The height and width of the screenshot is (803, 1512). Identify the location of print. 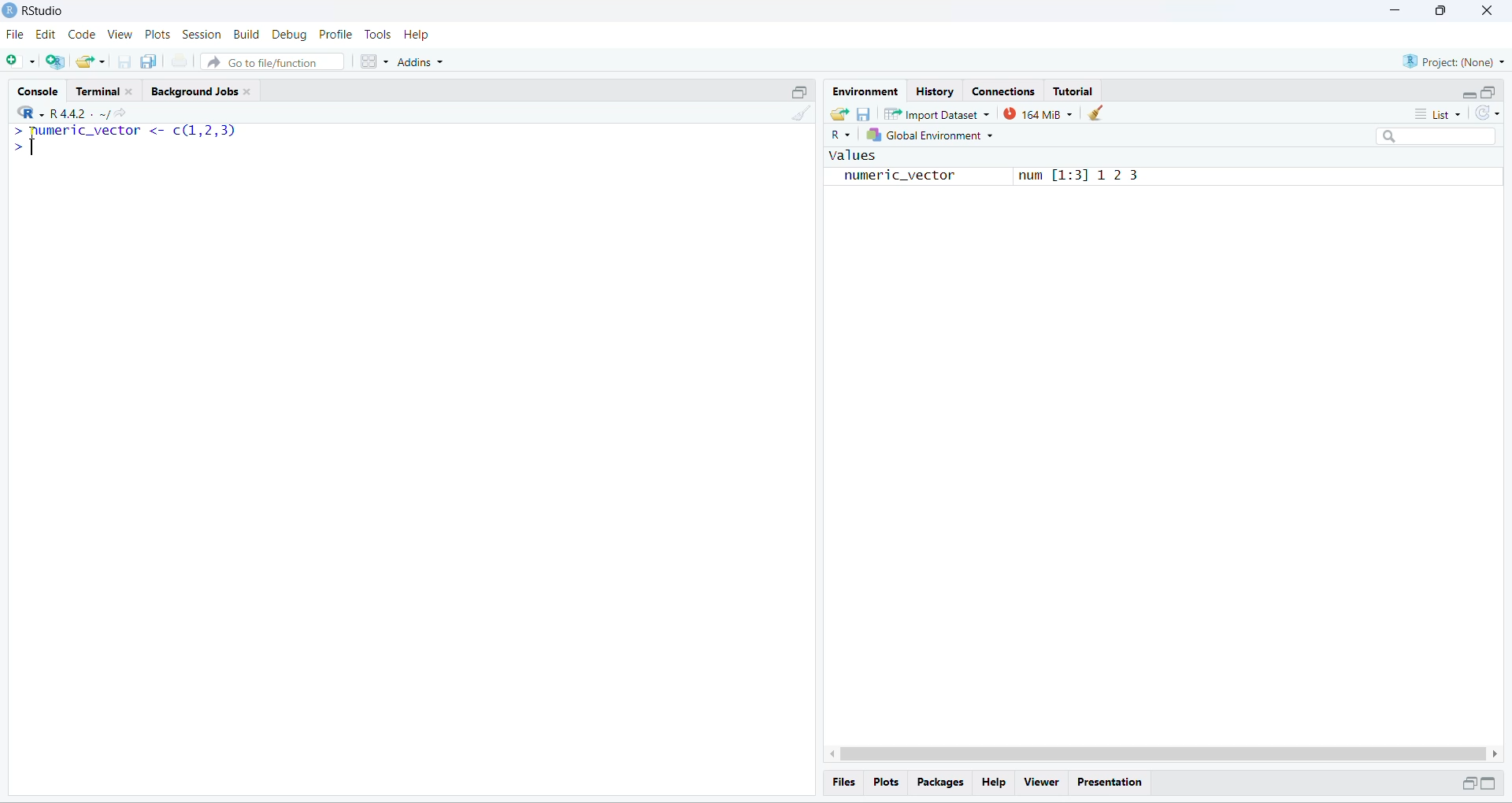
(180, 61).